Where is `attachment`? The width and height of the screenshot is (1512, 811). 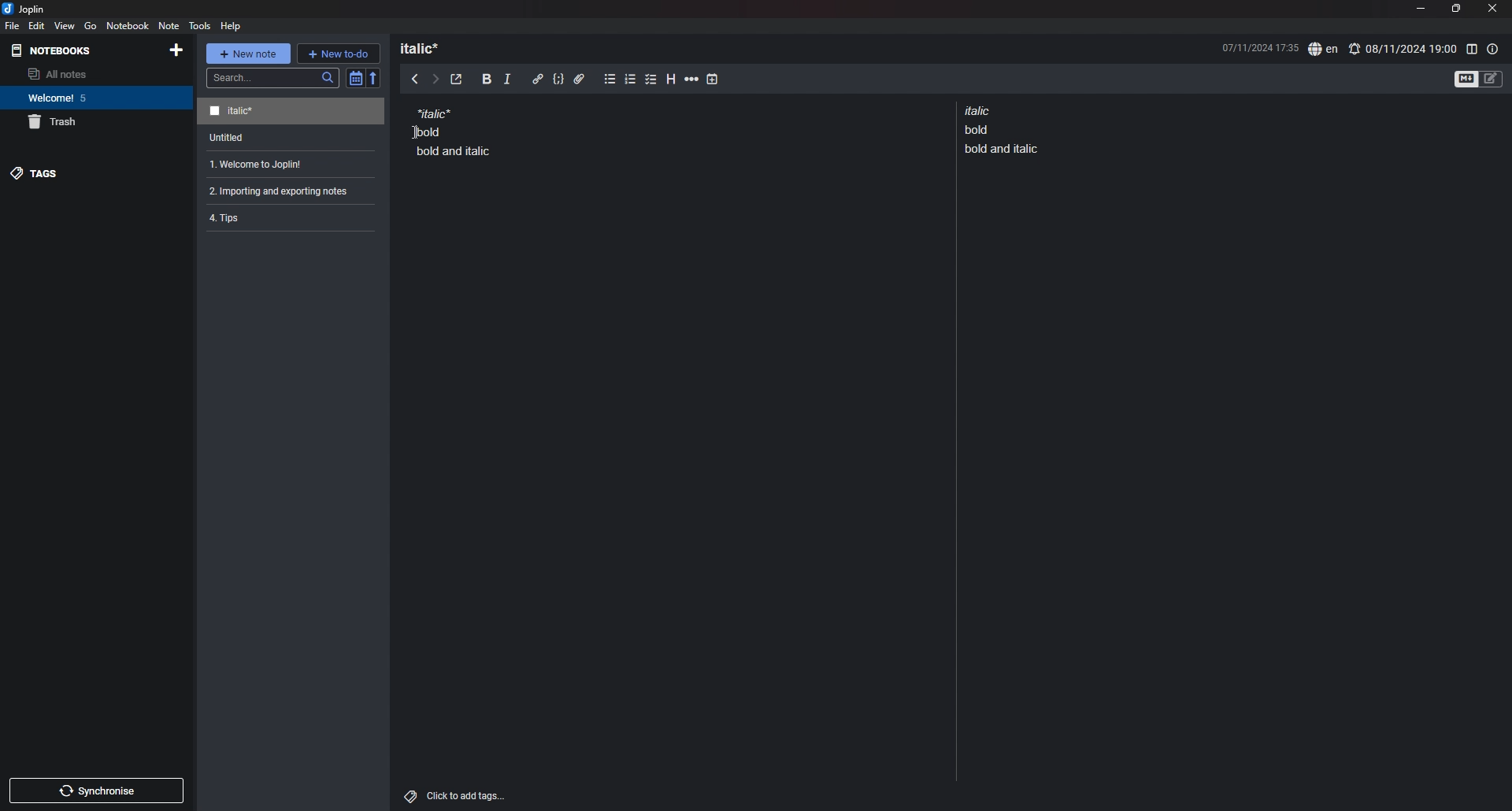 attachment is located at coordinates (580, 80).